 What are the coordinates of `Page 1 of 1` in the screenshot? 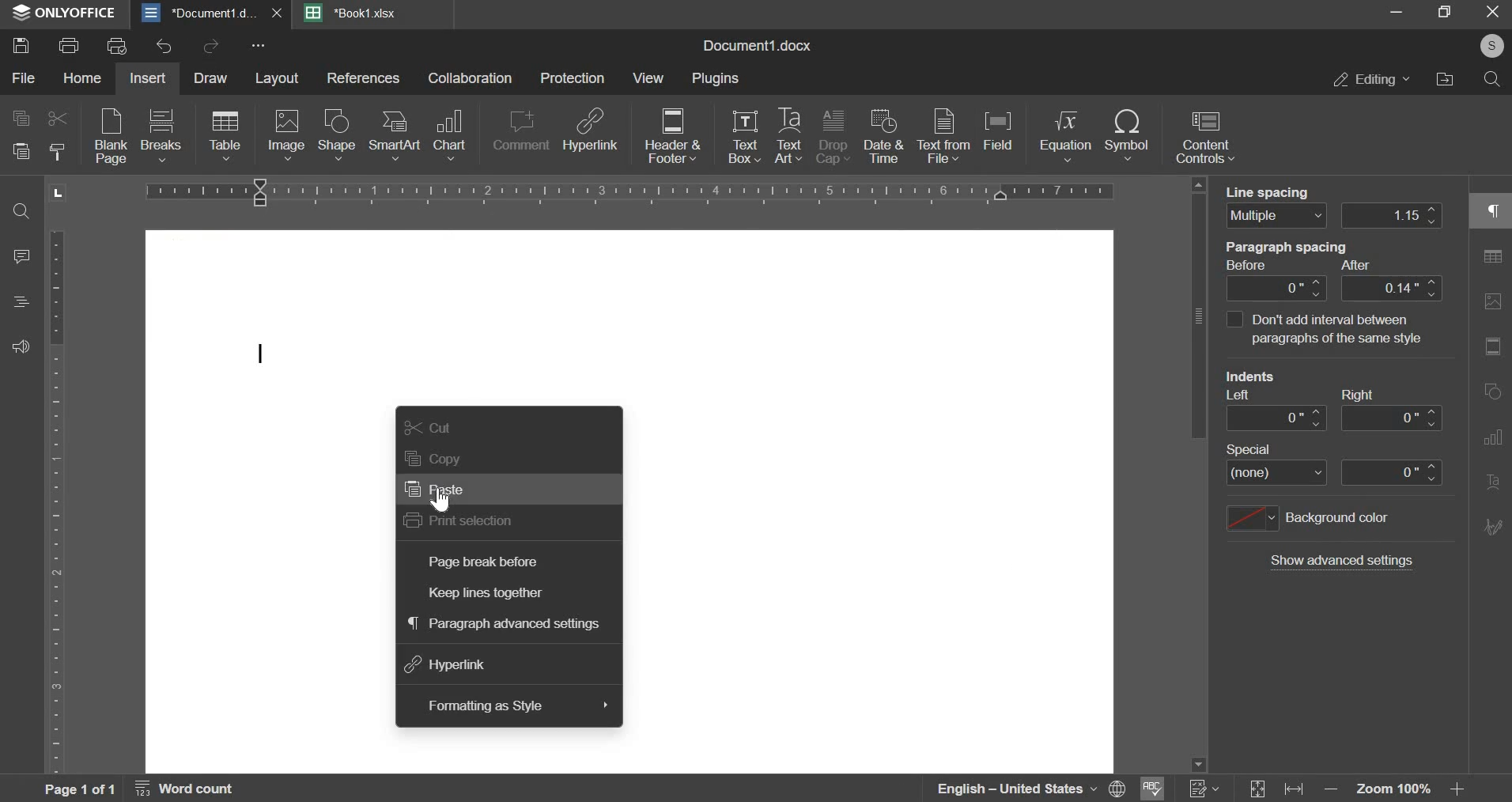 It's located at (78, 790).